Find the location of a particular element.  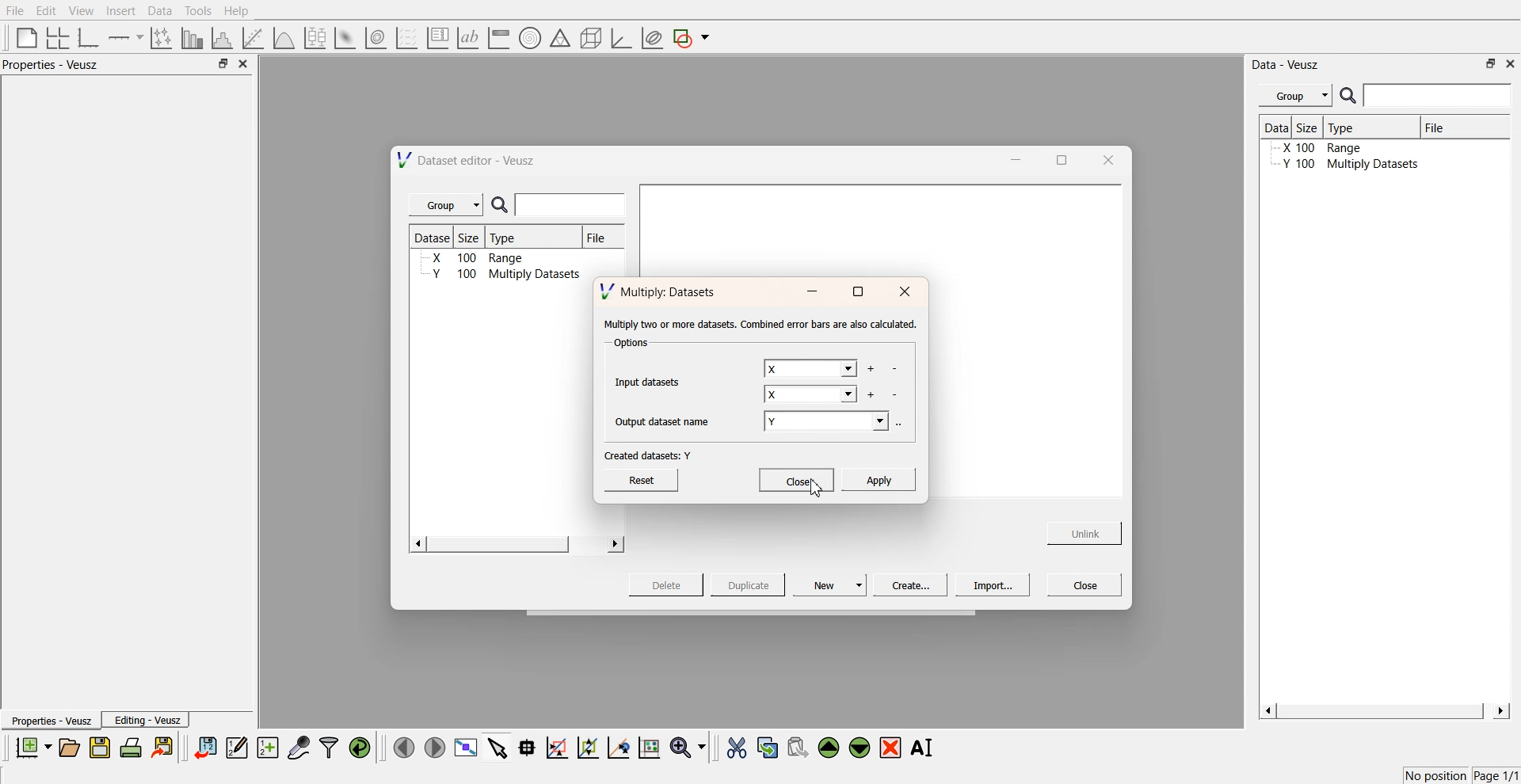

recenter the graph axes is located at coordinates (618, 747).